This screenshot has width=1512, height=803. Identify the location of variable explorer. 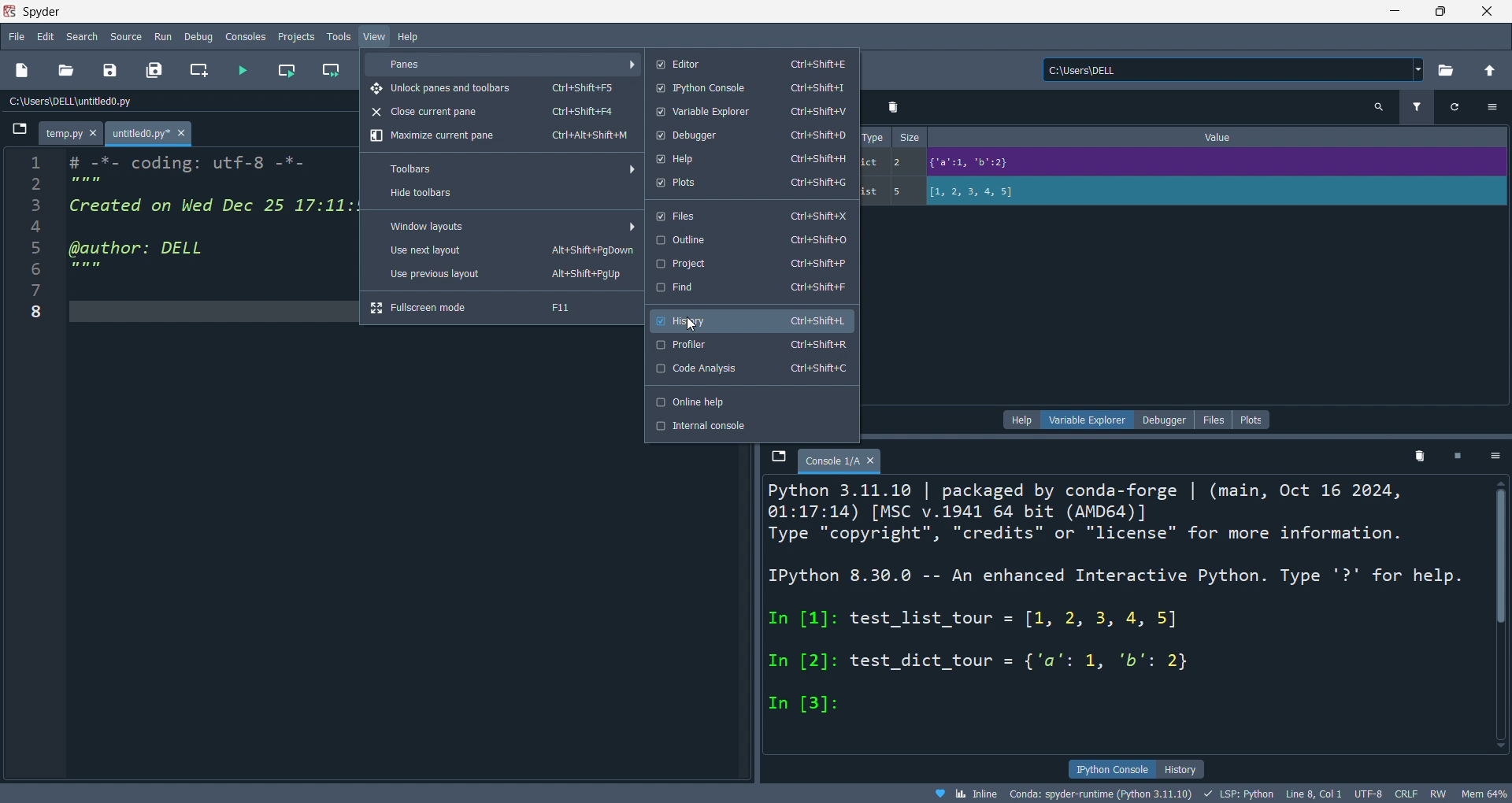
(1091, 419).